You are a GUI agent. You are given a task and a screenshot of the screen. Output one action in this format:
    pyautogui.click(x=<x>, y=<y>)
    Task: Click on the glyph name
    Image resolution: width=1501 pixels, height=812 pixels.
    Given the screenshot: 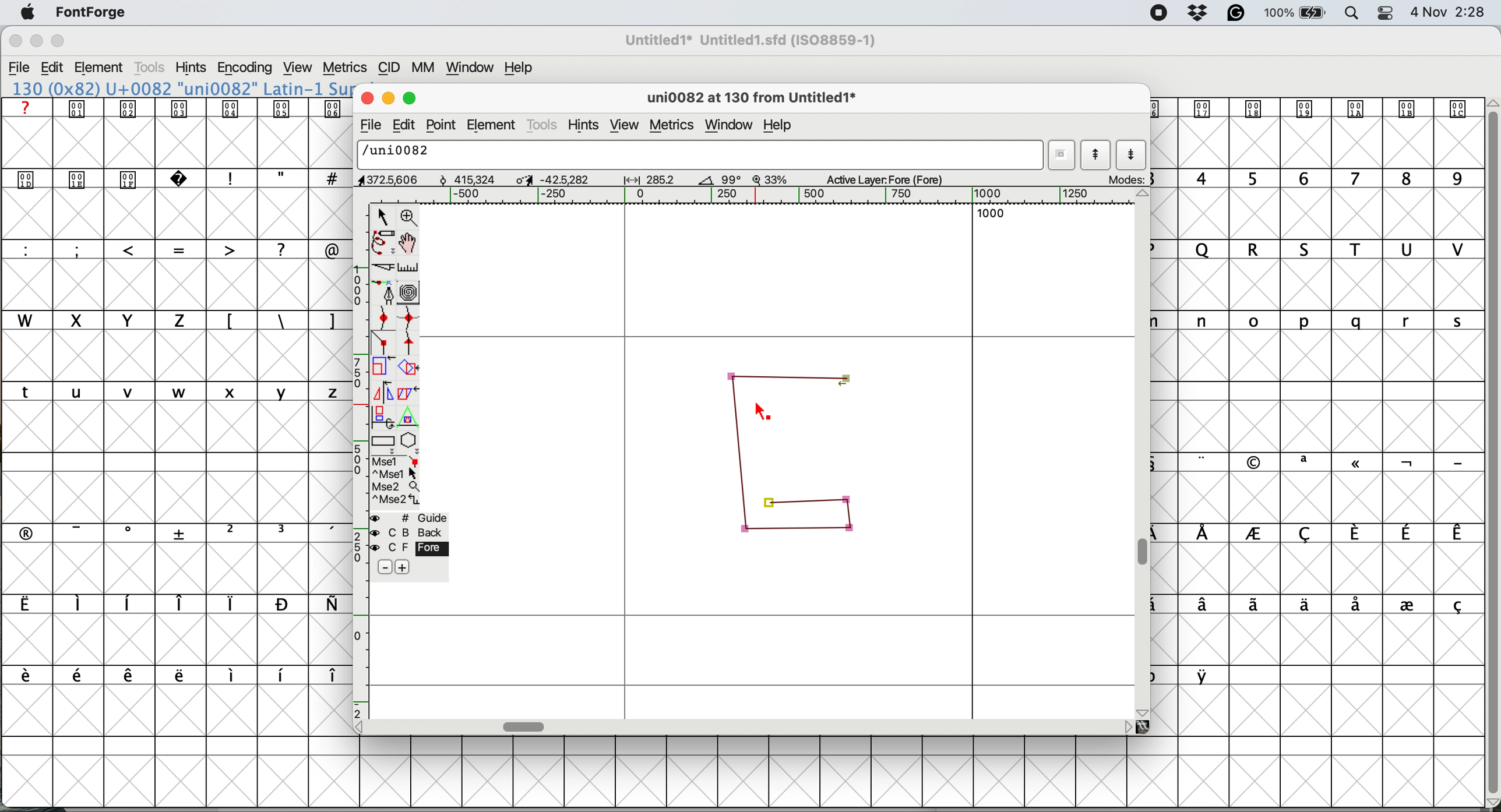 What is the action you would take?
    pyautogui.click(x=697, y=154)
    